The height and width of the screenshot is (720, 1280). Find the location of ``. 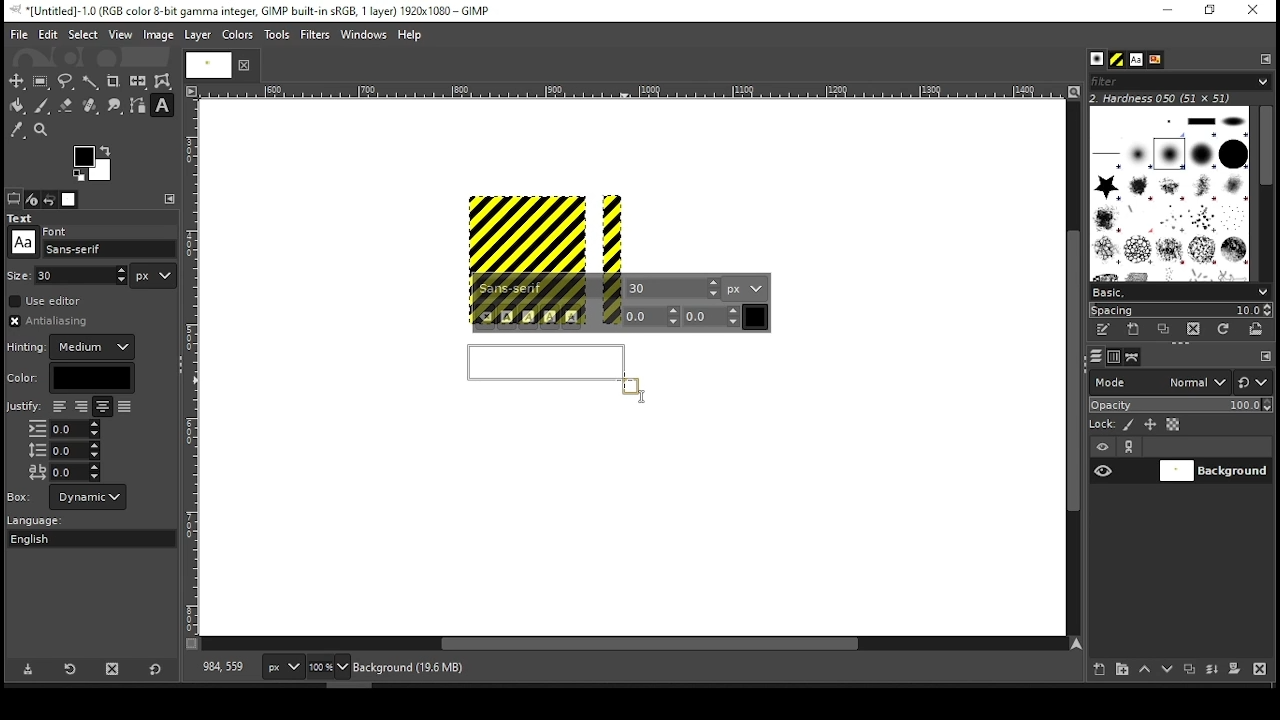

 is located at coordinates (193, 367).